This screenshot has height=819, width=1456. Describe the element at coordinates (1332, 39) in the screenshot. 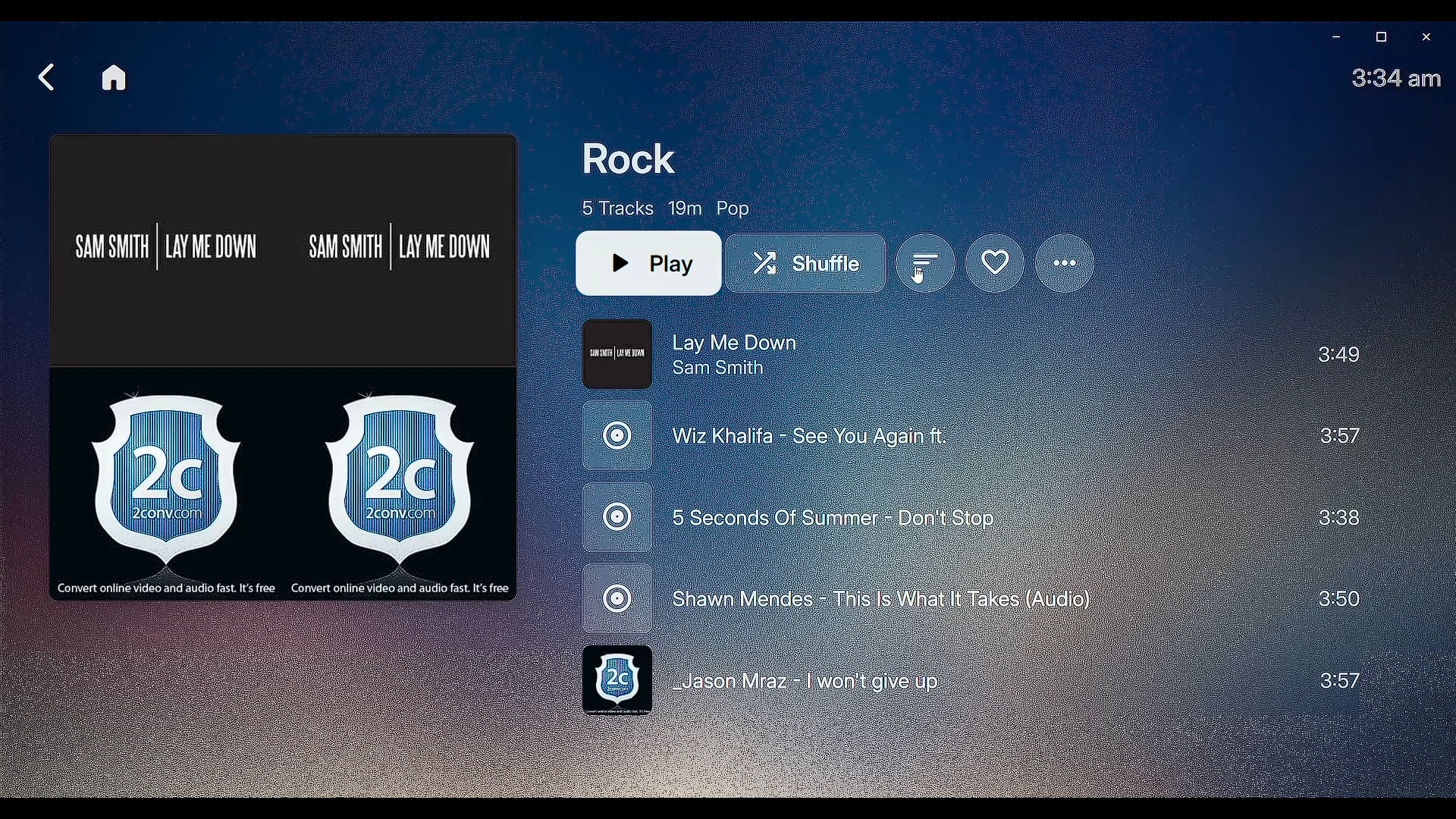

I see `Minimize` at that location.